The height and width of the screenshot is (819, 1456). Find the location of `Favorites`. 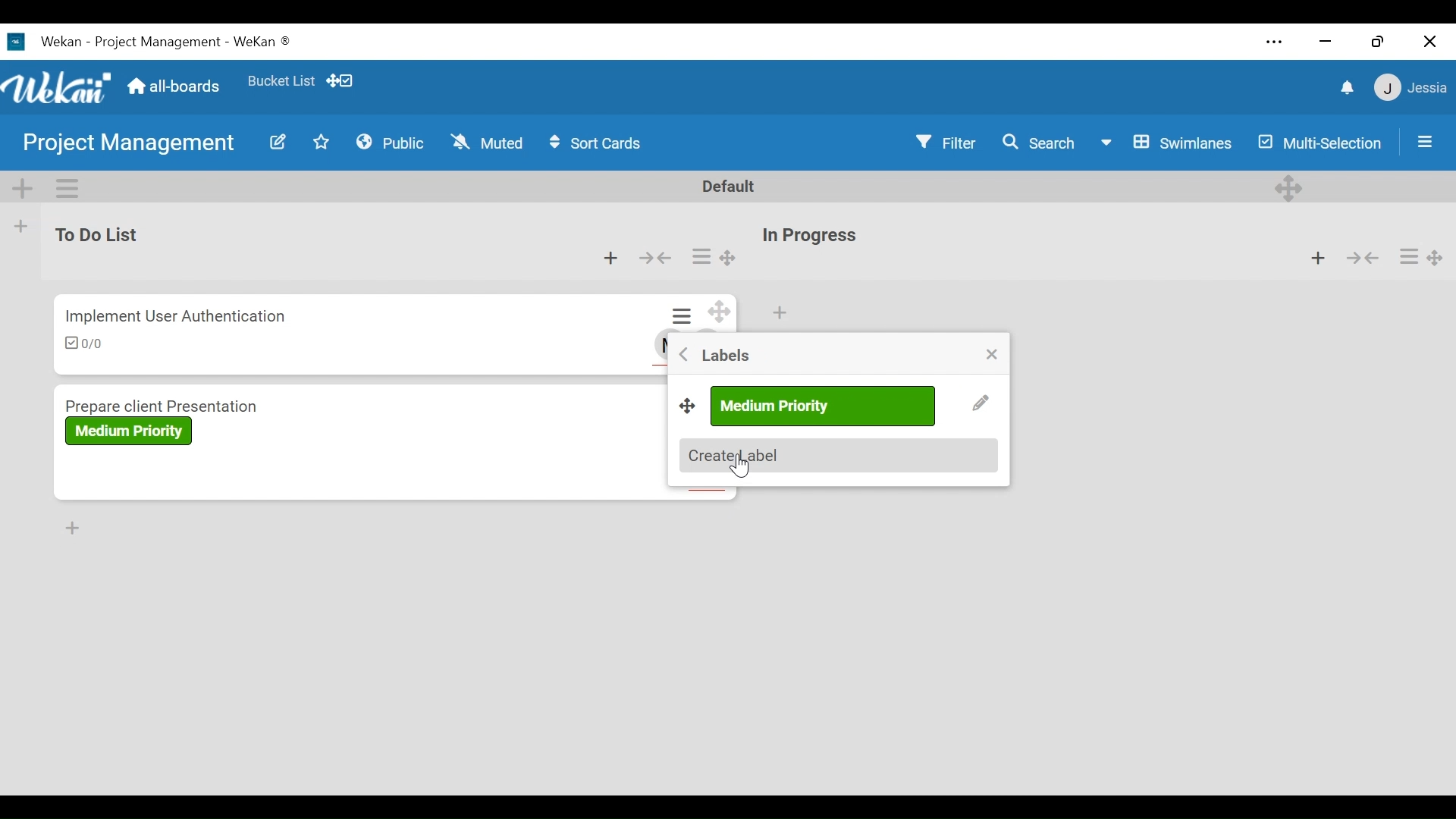

Favorites is located at coordinates (281, 78).